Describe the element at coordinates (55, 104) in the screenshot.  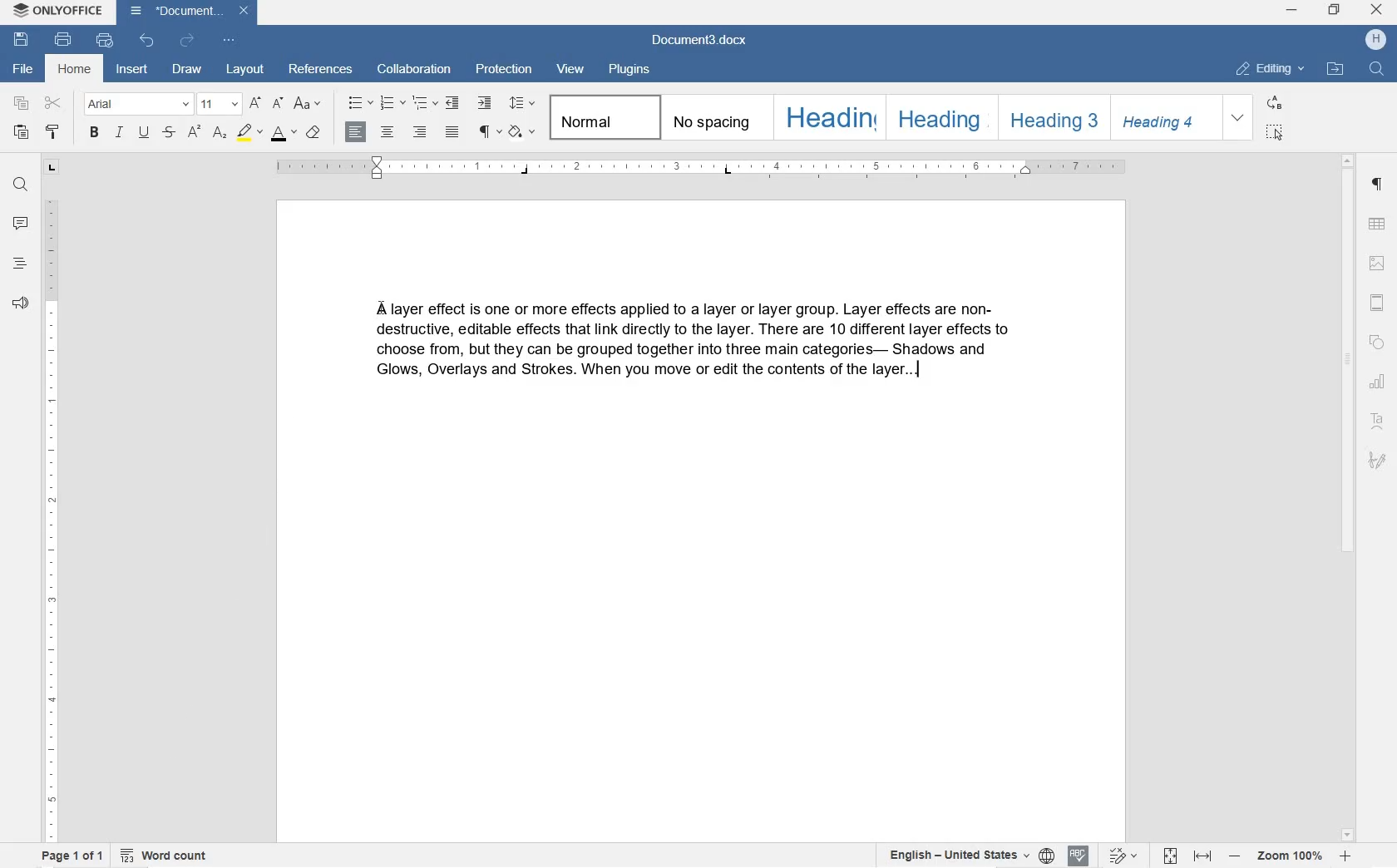
I see `CUT` at that location.